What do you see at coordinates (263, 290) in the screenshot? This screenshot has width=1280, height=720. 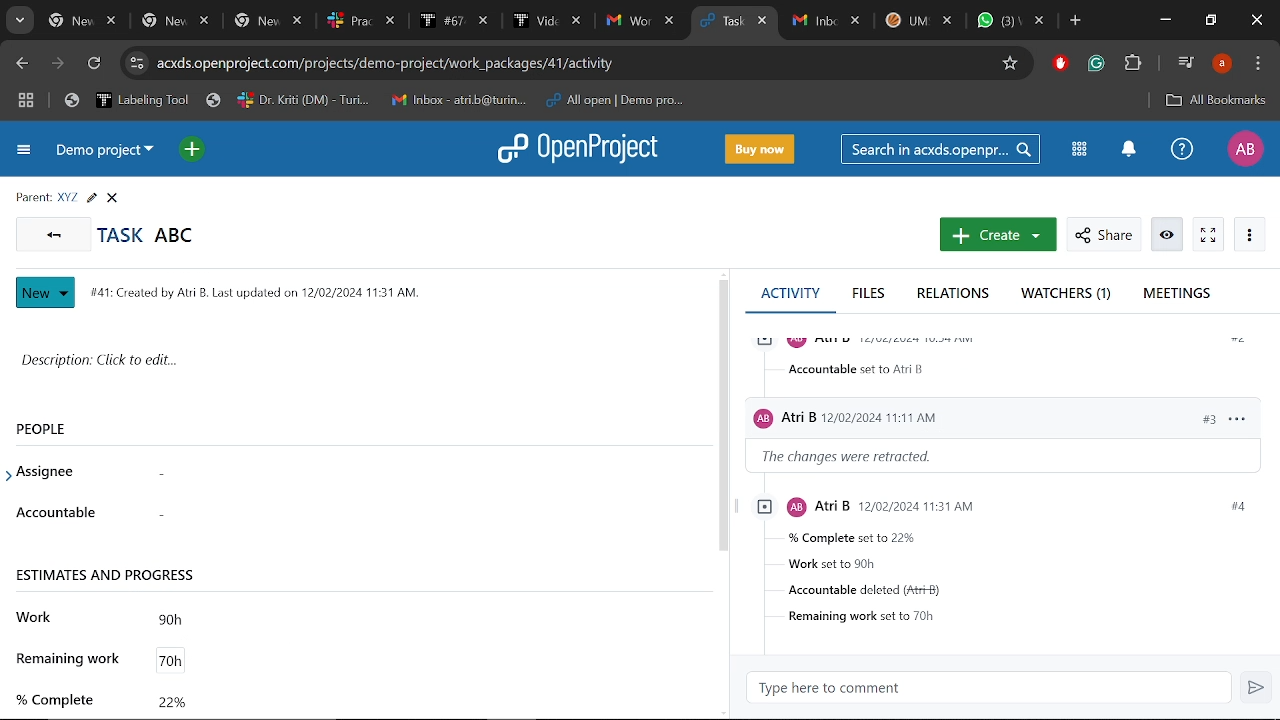 I see `task info` at bounding box center [263, 290].